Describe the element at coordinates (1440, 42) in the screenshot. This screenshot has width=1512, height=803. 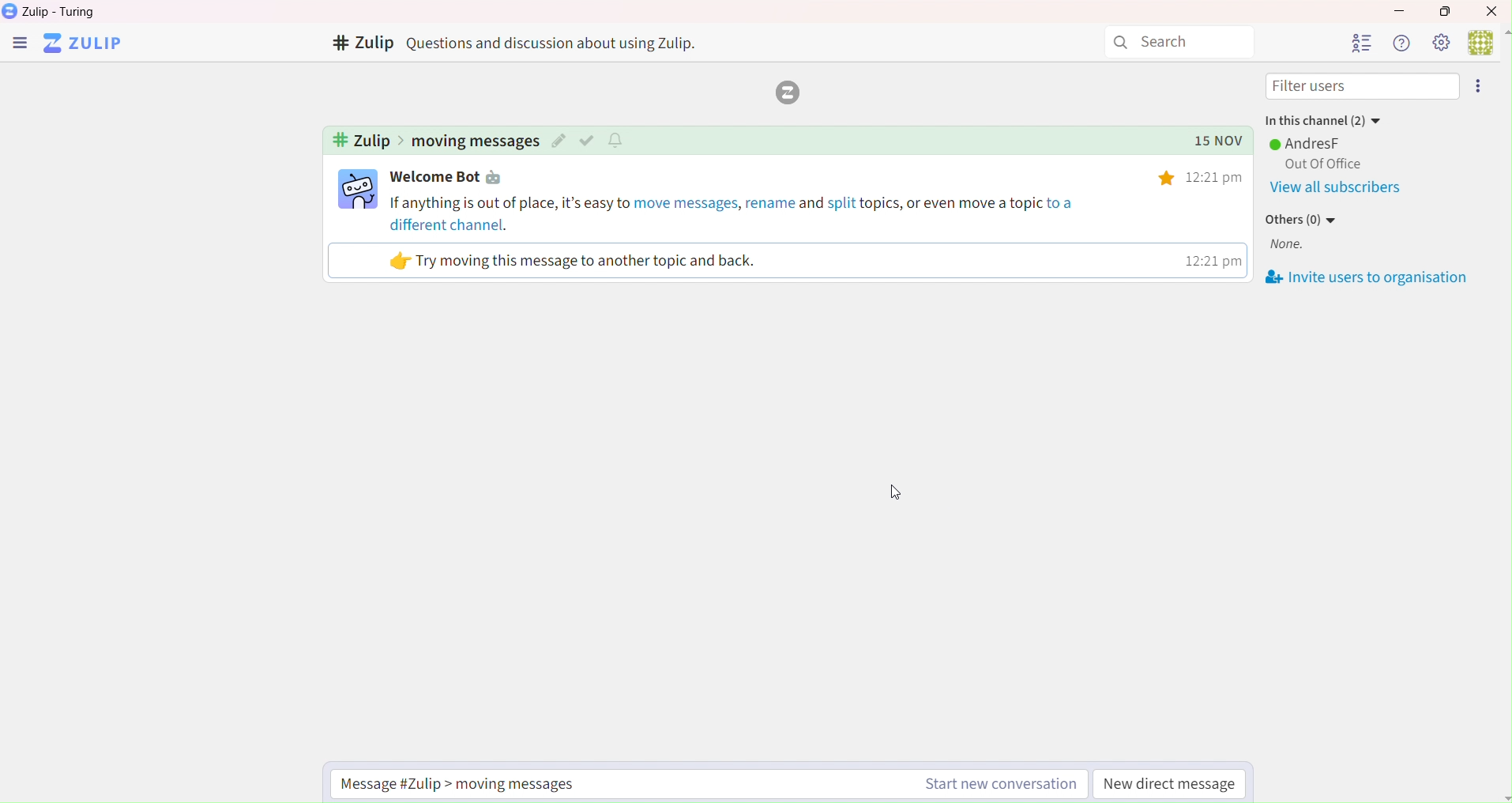
I see `Settings` at that location.